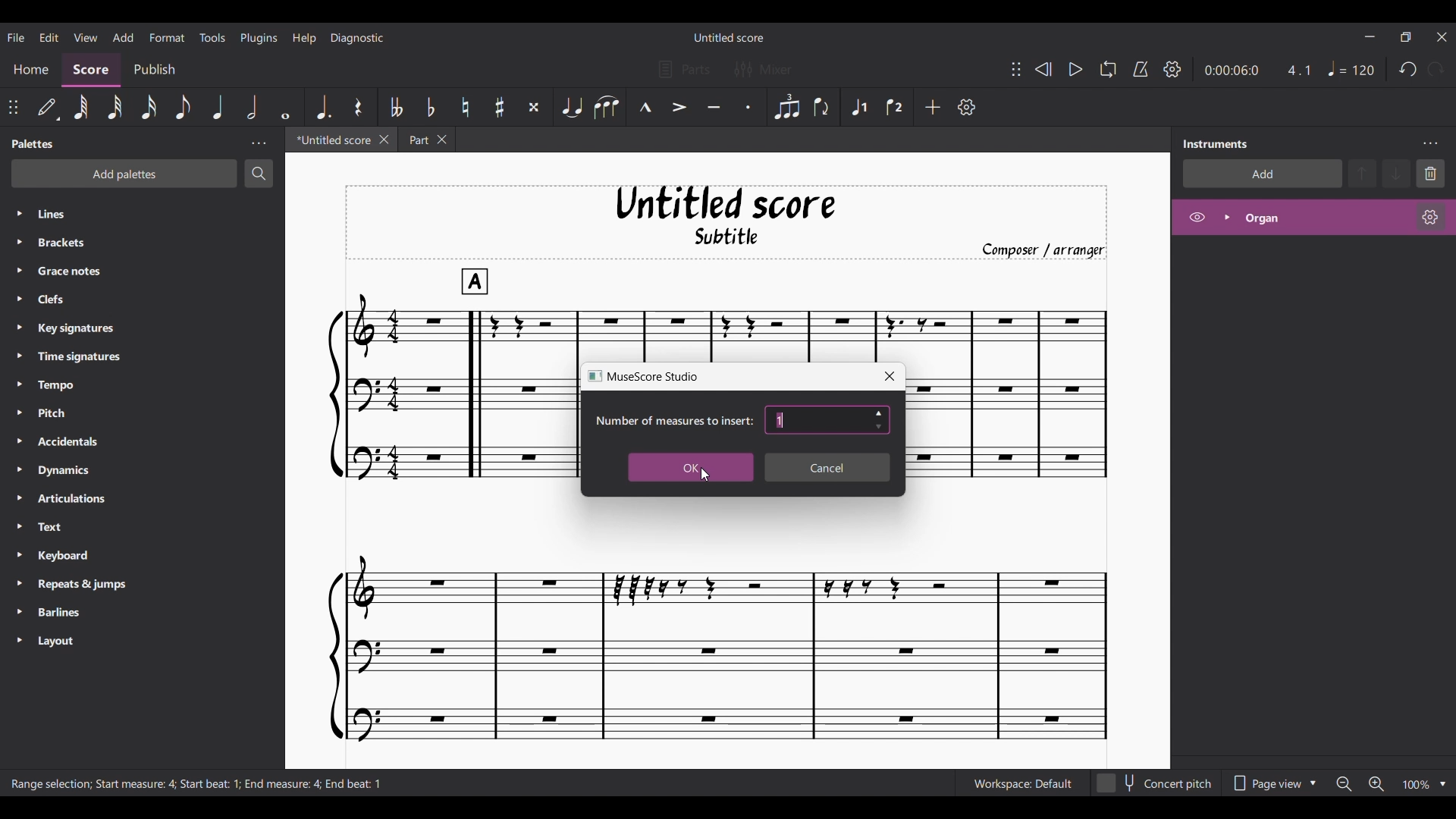  What do you see at coordinates (19, 427) in the screenshot?
I see `Expand respective palette` at bounding box center [19, 427].